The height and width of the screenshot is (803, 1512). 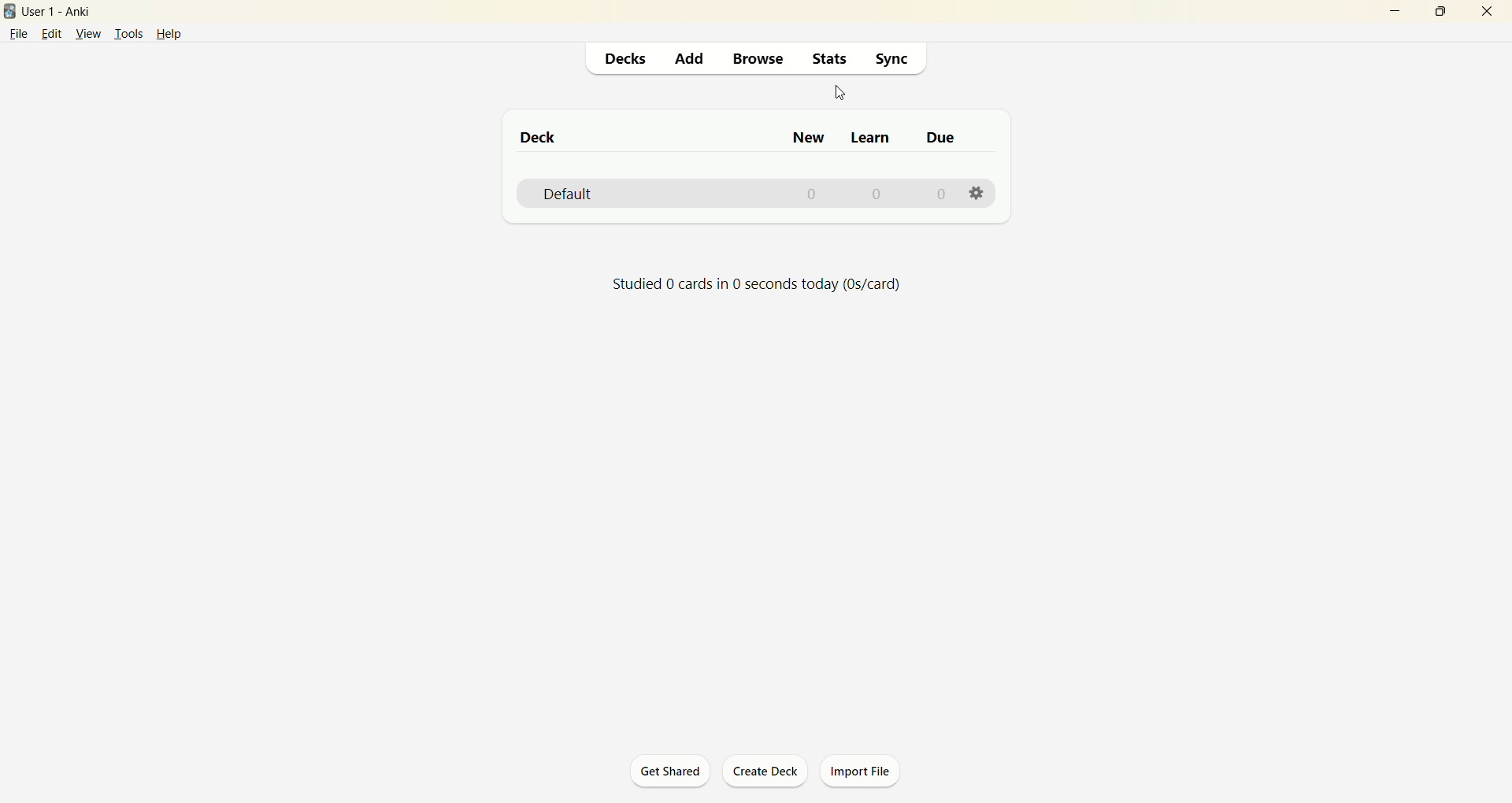 What do you see at coordinates (943, 138) in the screenshot?
I see `due` at bounding box center [943, 138].